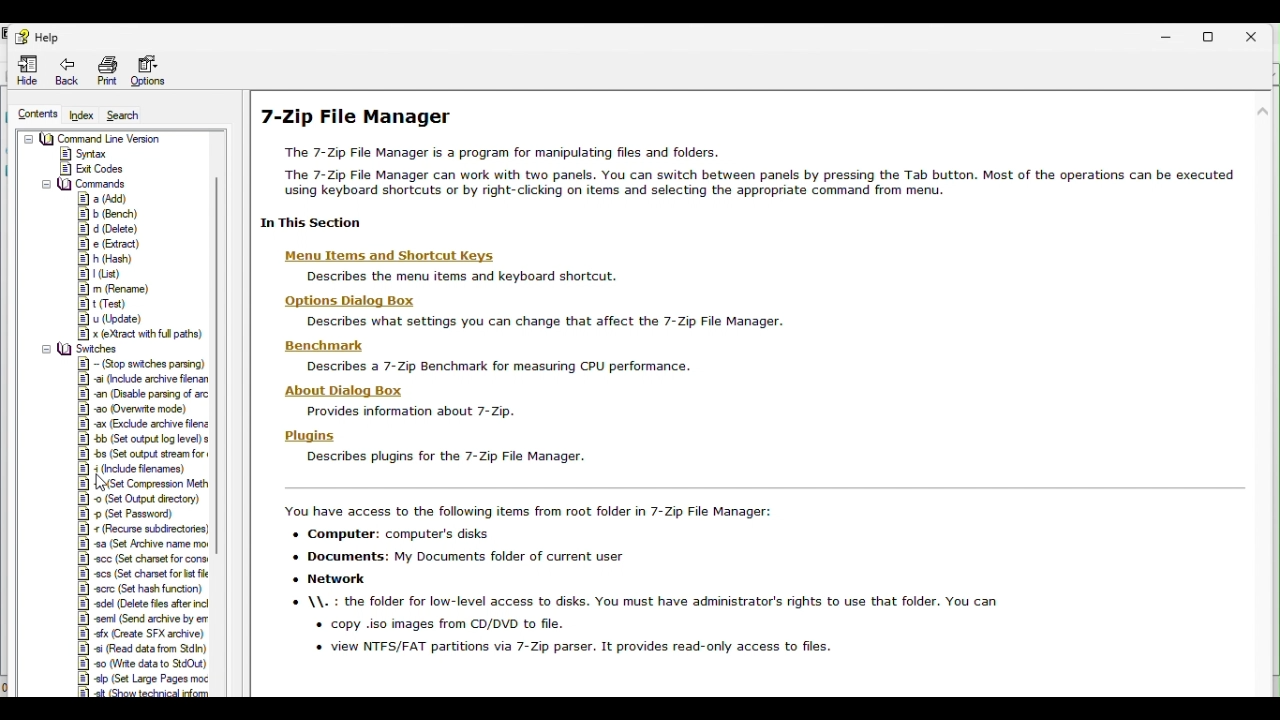 The width and height of the screenshot is (1280, 720). Describe the element at coordinates (141, 681) in the screenshot. I see `set large pages mode` at that location.